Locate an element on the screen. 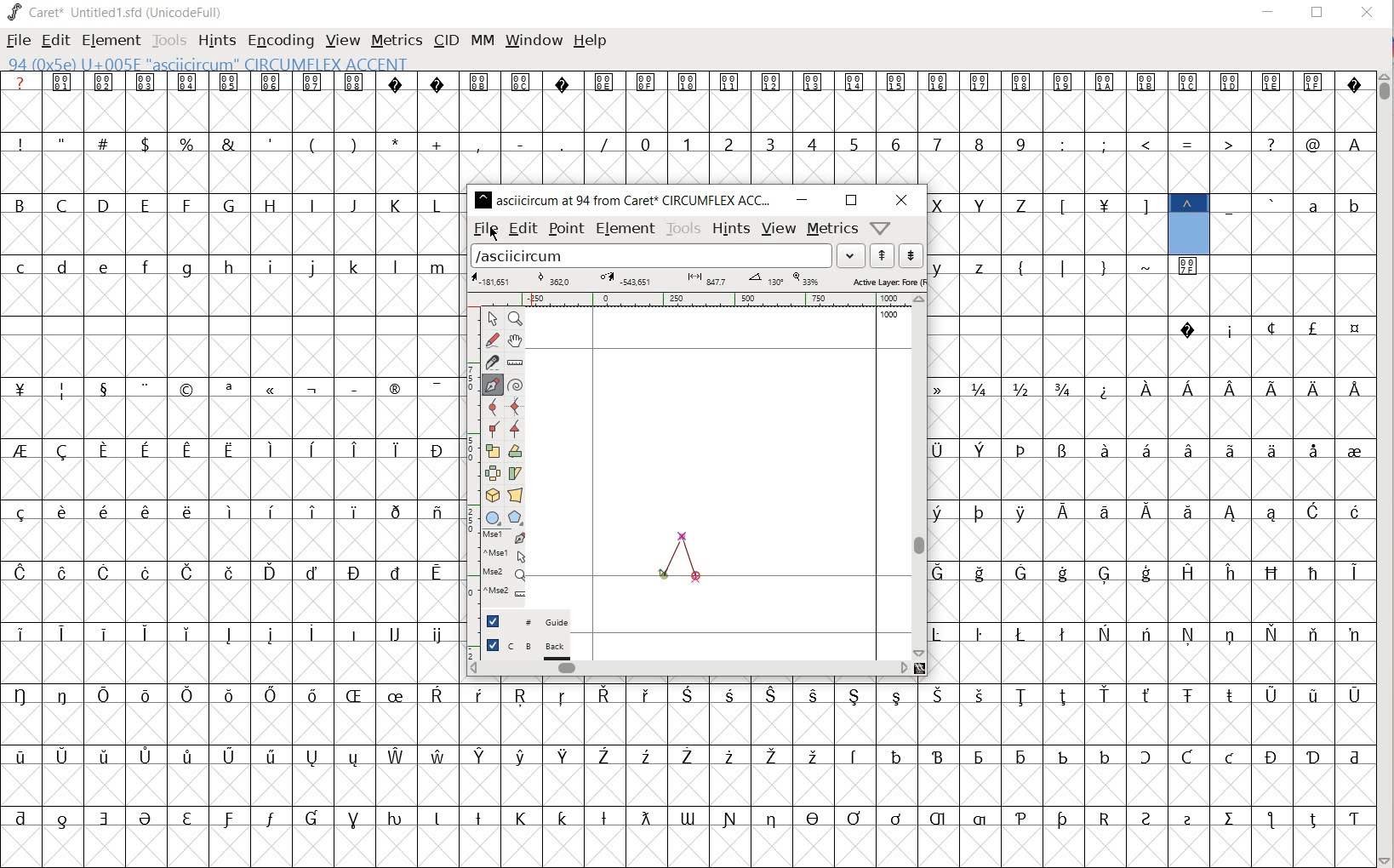 The width and height of the screenshot is (1394, 868). CID is located at coordinates (445, 40).